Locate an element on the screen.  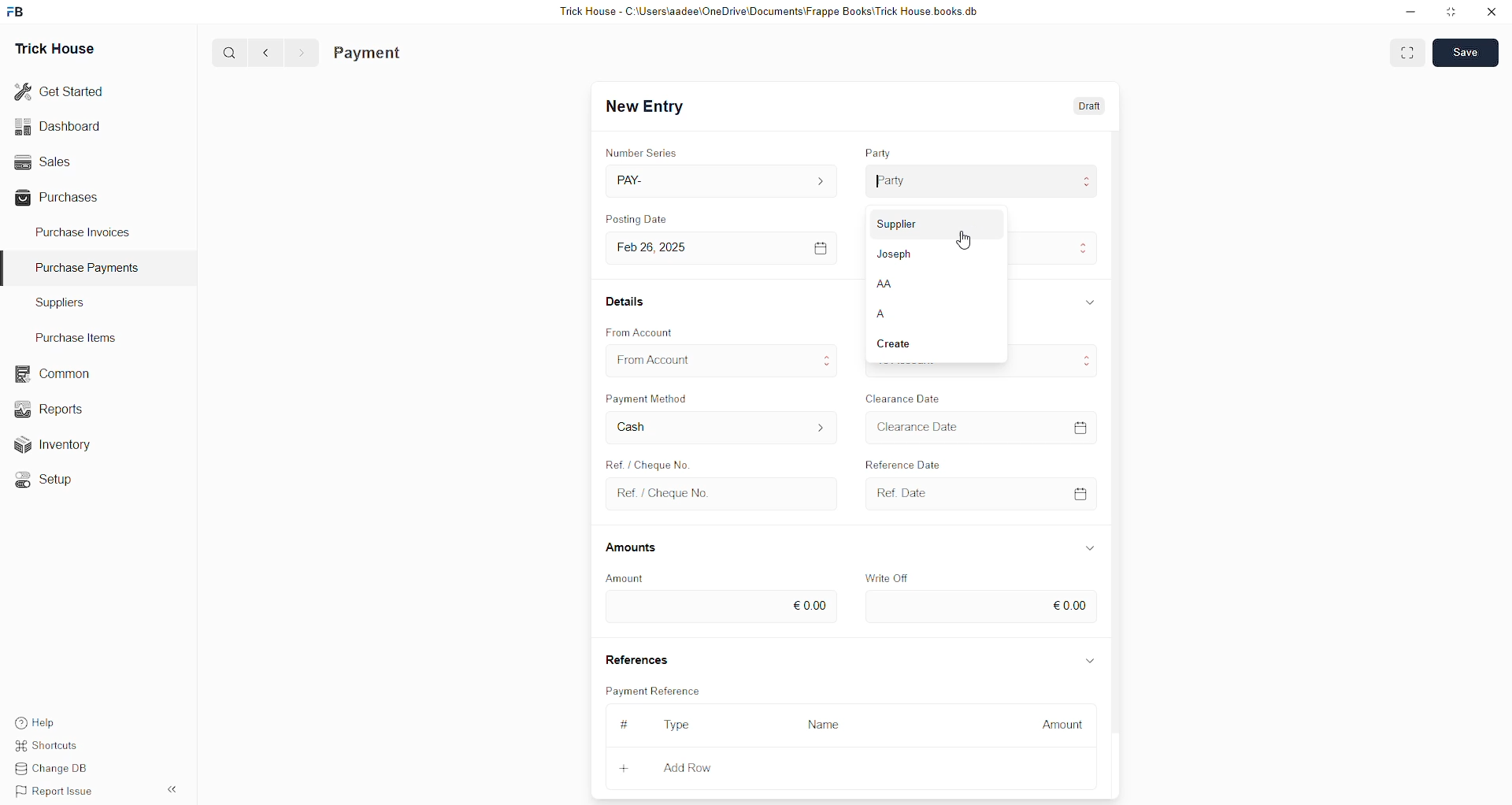
Create is located at coordinates (914, 345).